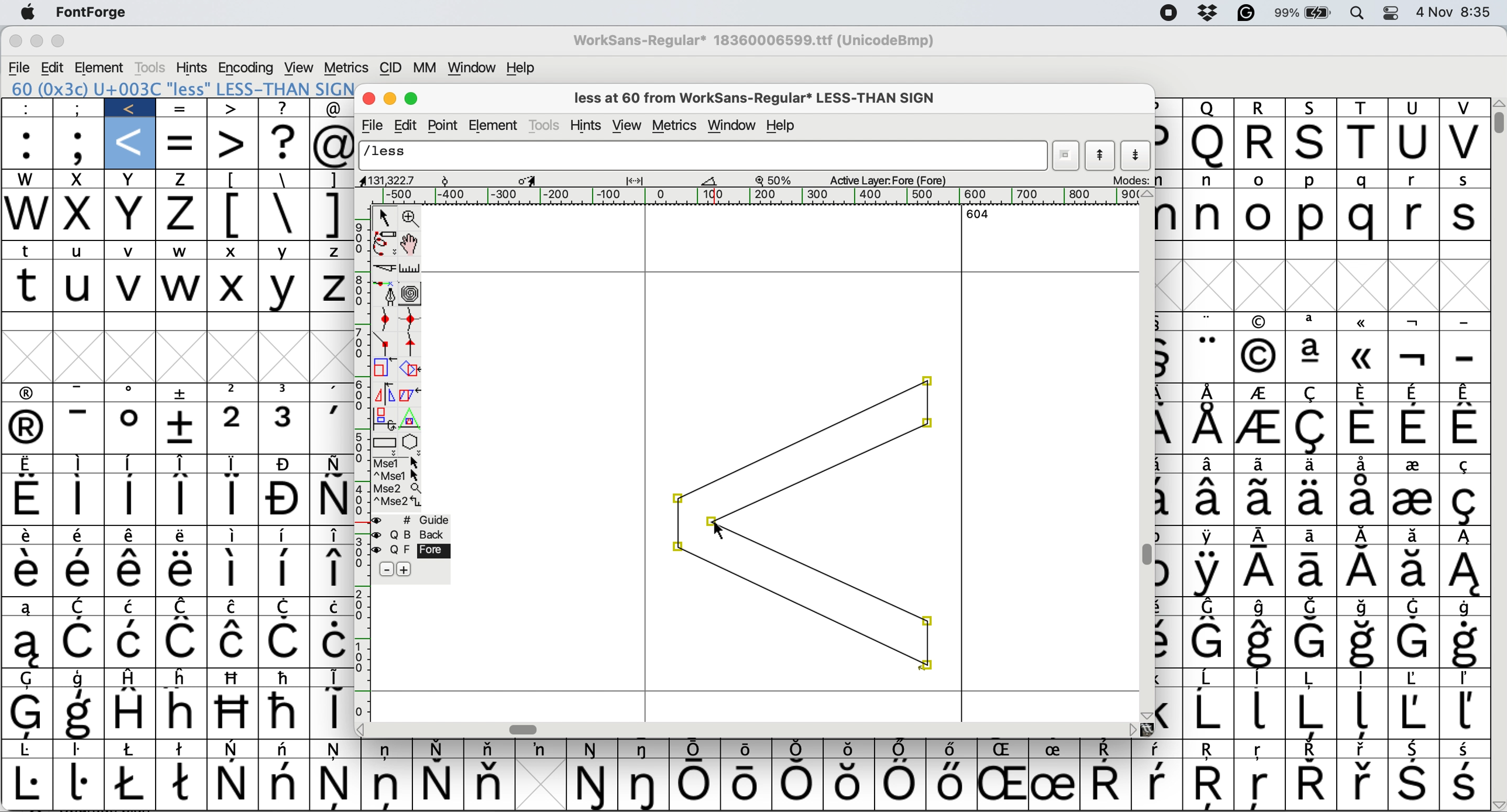 This screenshot has width=1507, height=812. I want to click on Symbol, so click(797, 785).